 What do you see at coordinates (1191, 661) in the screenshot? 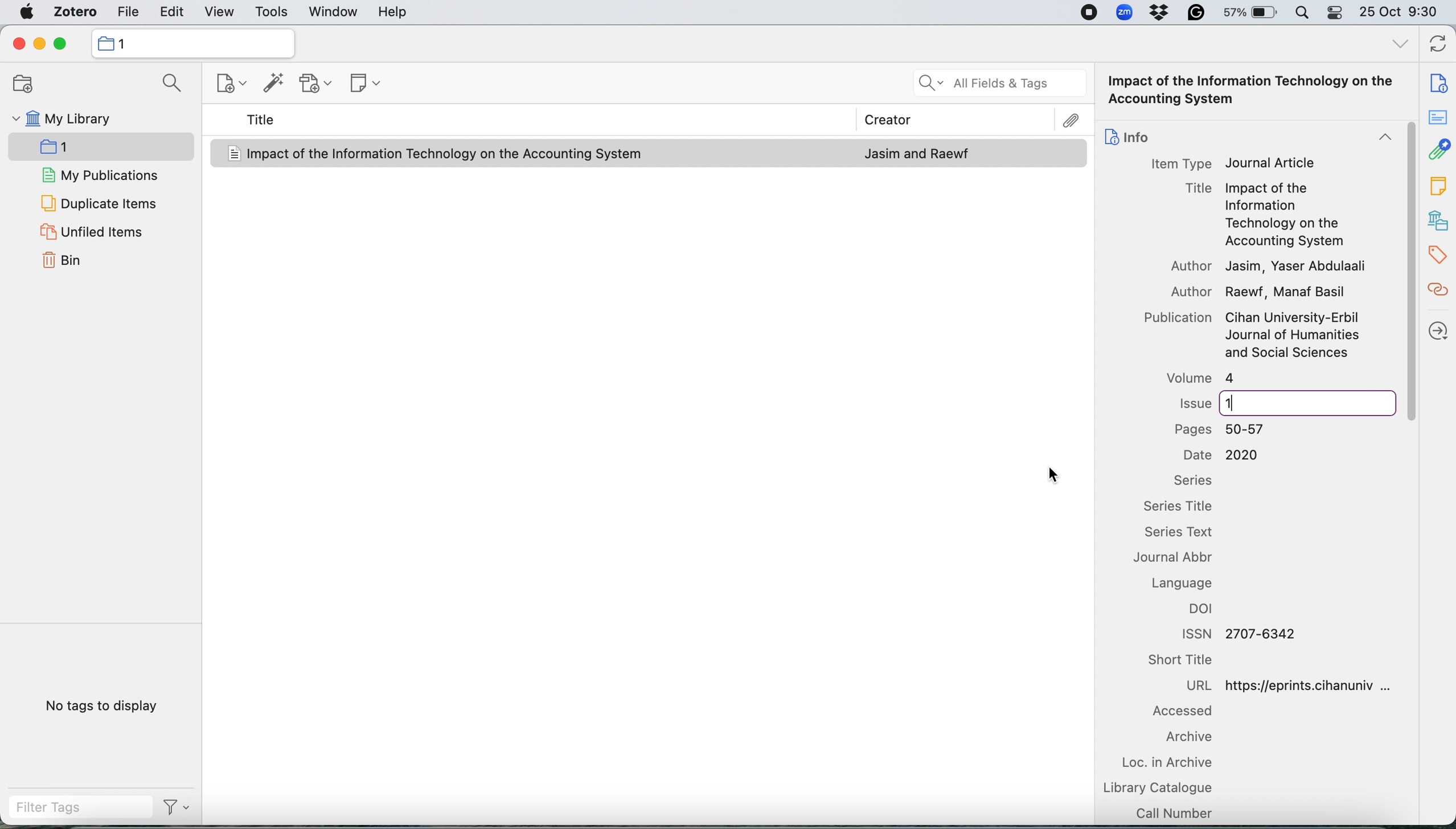
I see `short title` at bounding box center [1191, 661].